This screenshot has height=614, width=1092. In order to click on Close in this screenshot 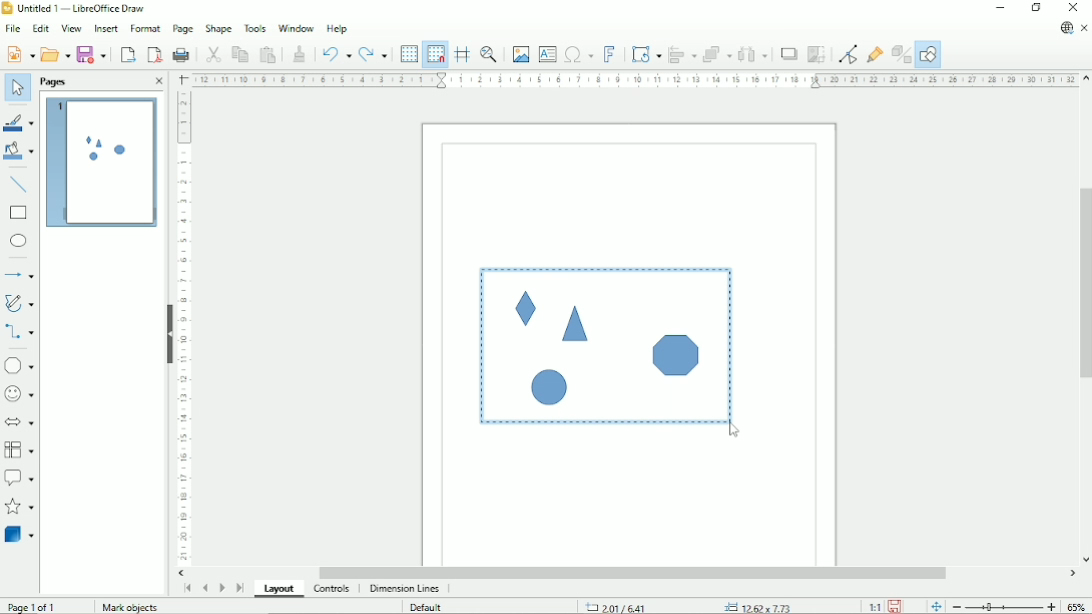, I will do `click(1076, 8)`.